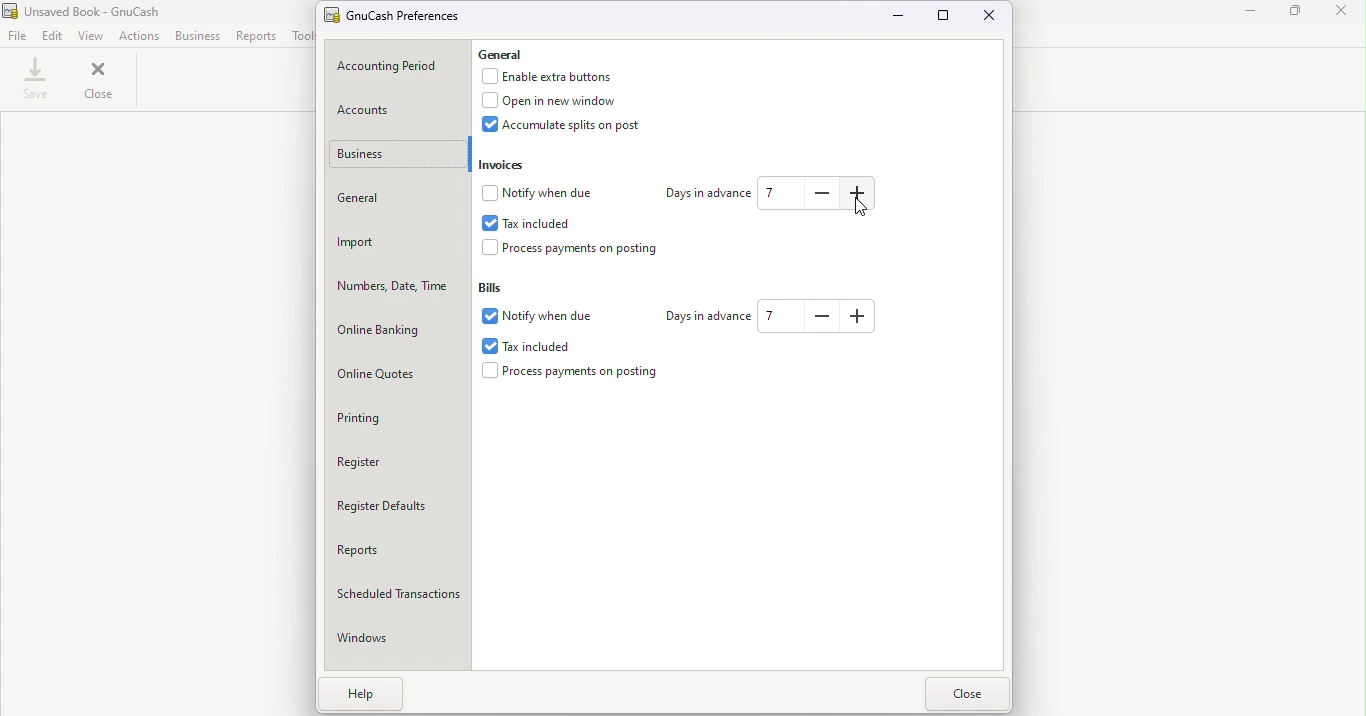 The width and height of the screenshot is (1366, 716). Describe the element at coordinates (396, 109) in the screenshot. I see `Accounts` at that location.